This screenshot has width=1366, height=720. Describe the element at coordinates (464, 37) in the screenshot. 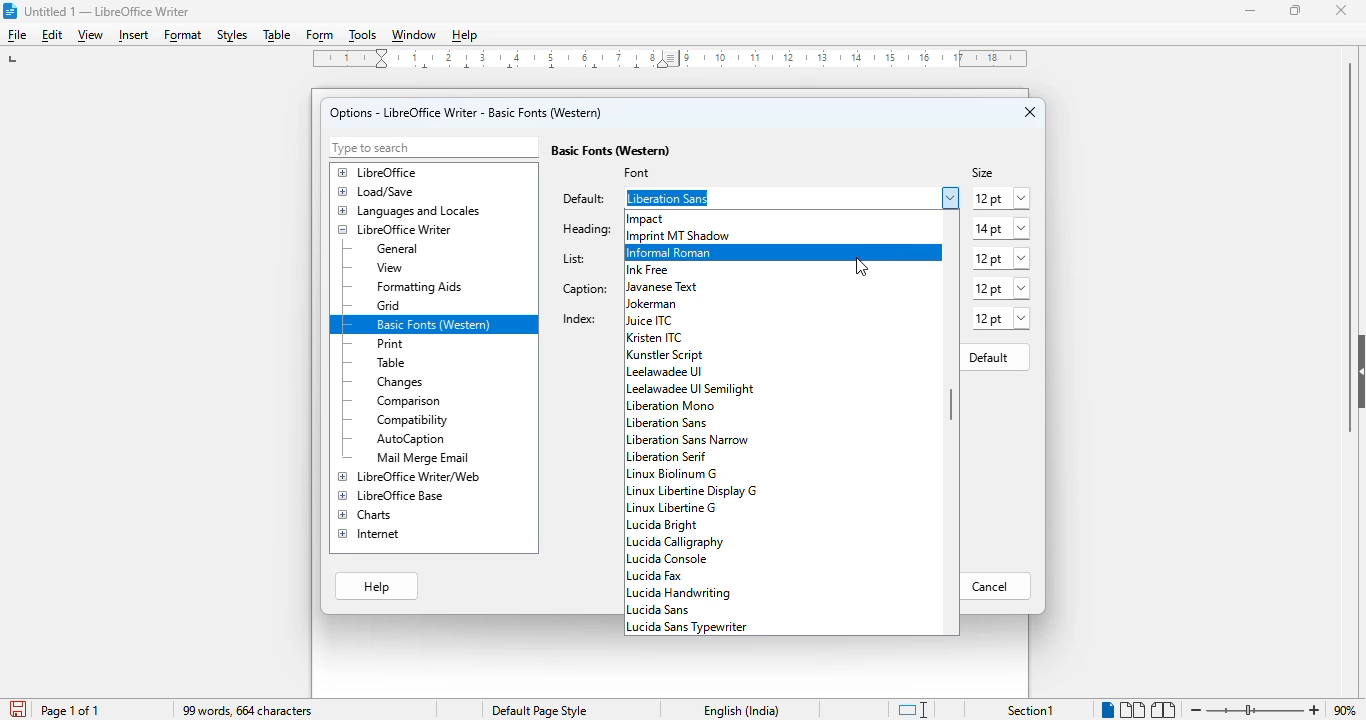

I see `help` at that location.